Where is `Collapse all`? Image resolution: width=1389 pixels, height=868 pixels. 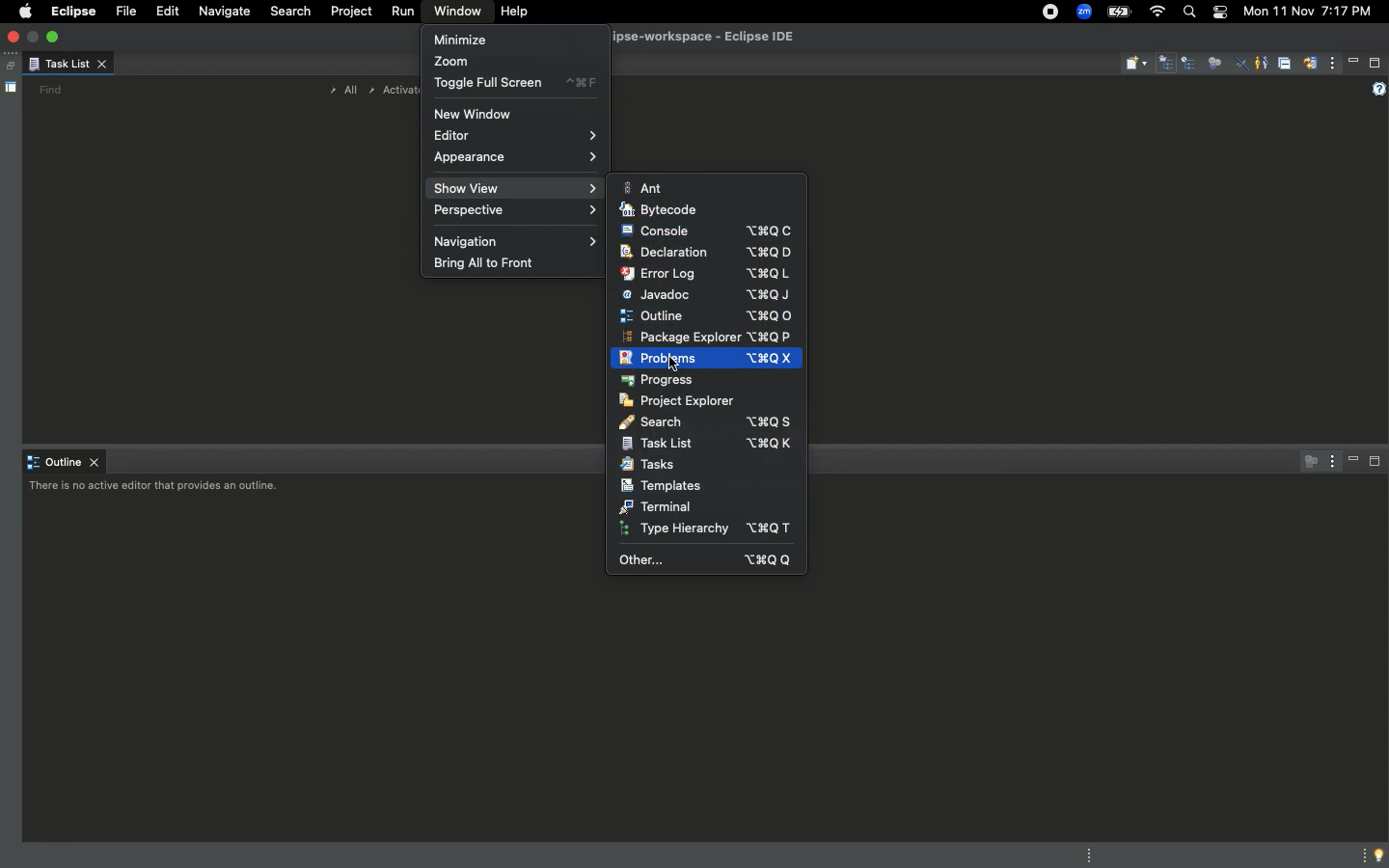
Collapse all is located at coordinates (1284, 66).